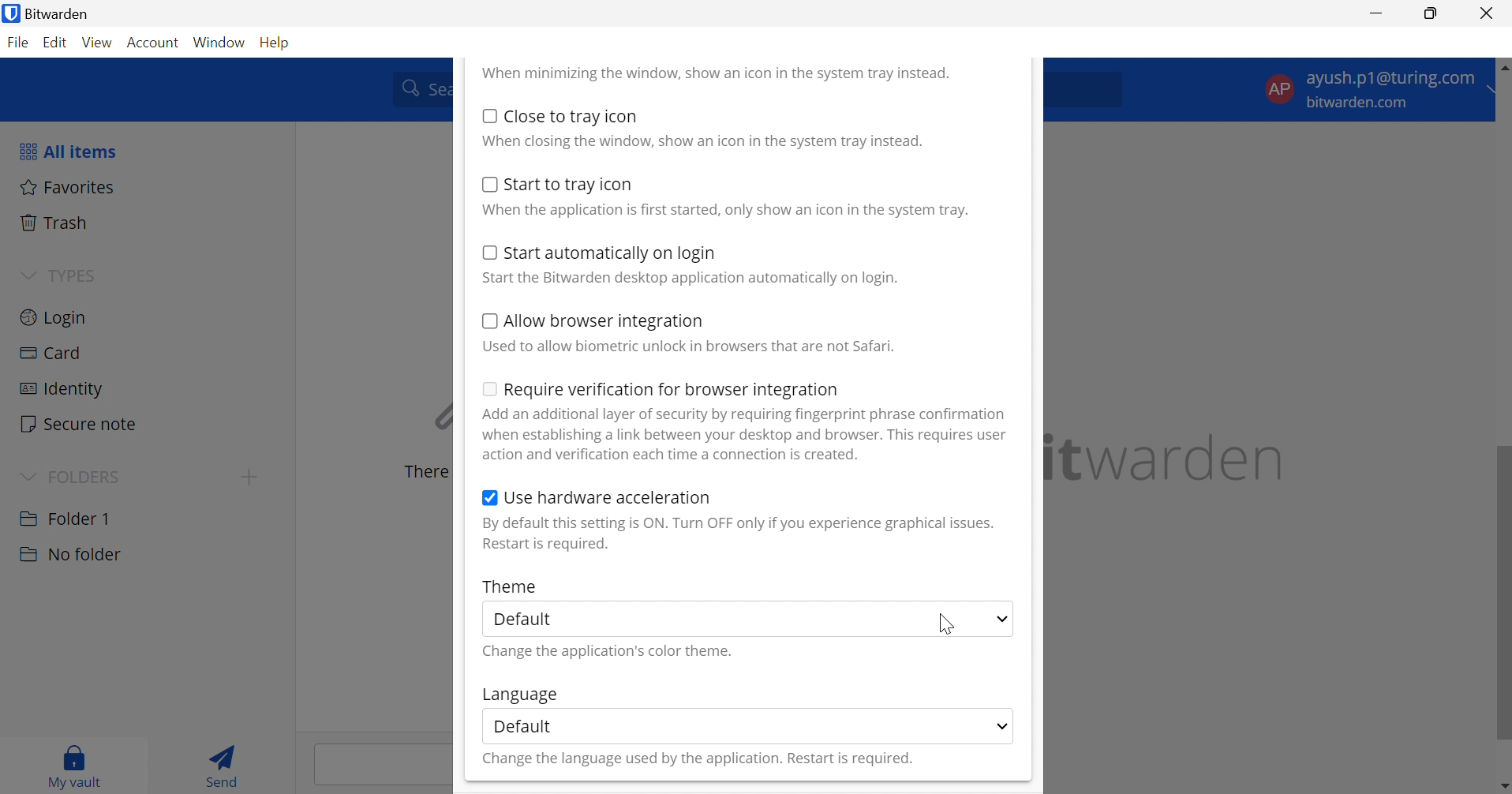 The image size is (1512, 794). I want to click on ayush.p1@turing.com, so click(1394, 81).